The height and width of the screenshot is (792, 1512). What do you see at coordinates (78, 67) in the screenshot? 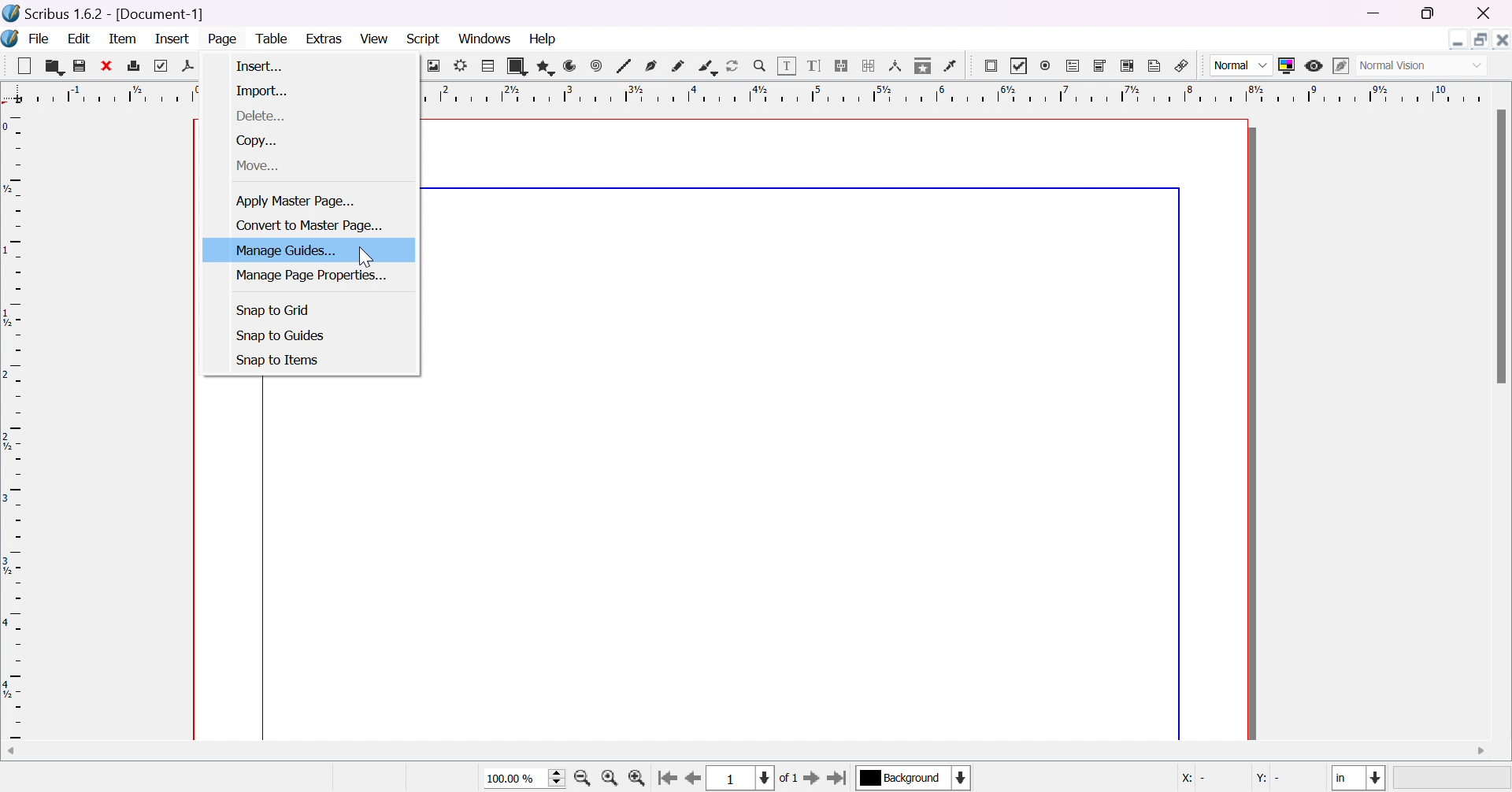
I see `save` at bounding box center [78, 67].